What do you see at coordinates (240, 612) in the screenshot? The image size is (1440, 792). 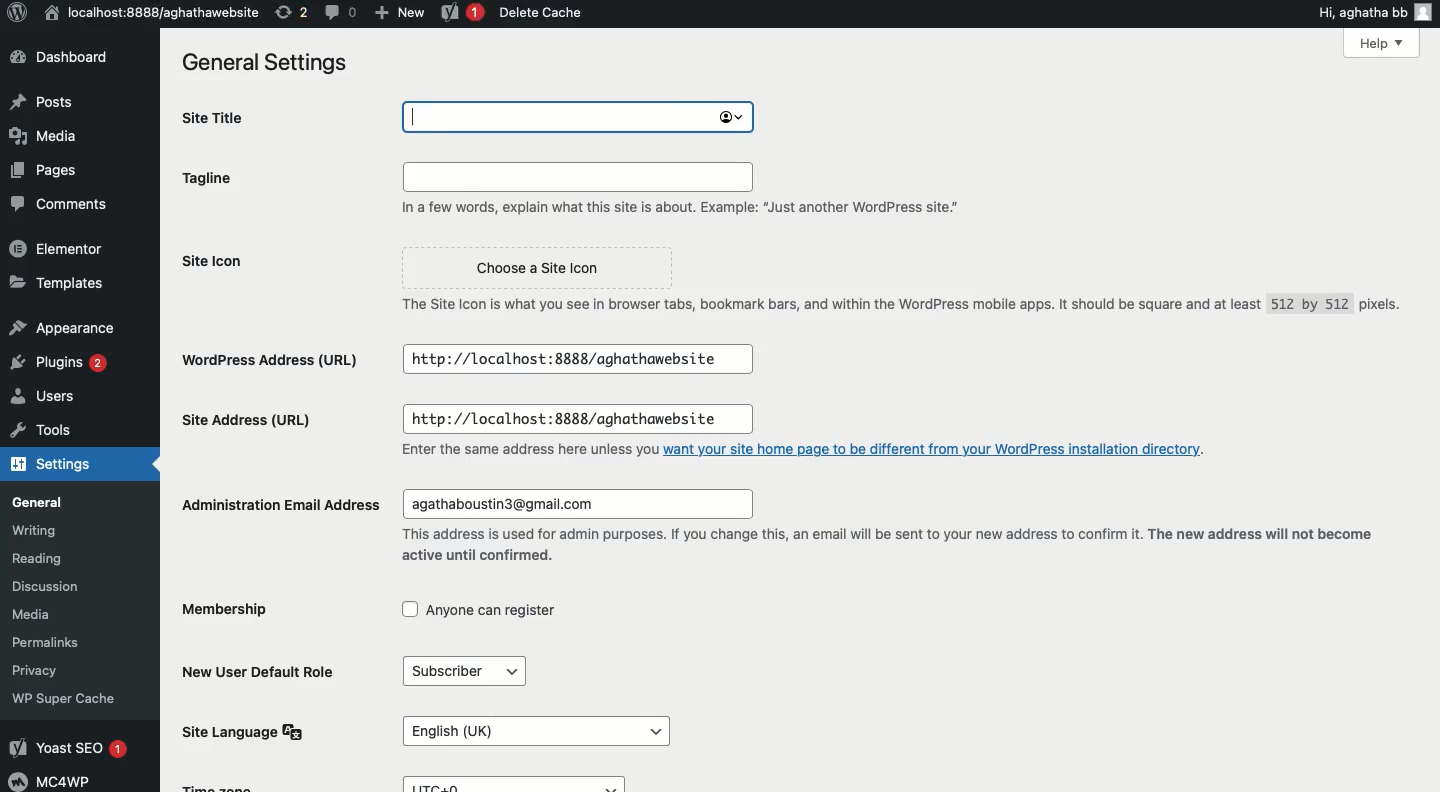 I see `Membership` at bounding box center [240, 612].